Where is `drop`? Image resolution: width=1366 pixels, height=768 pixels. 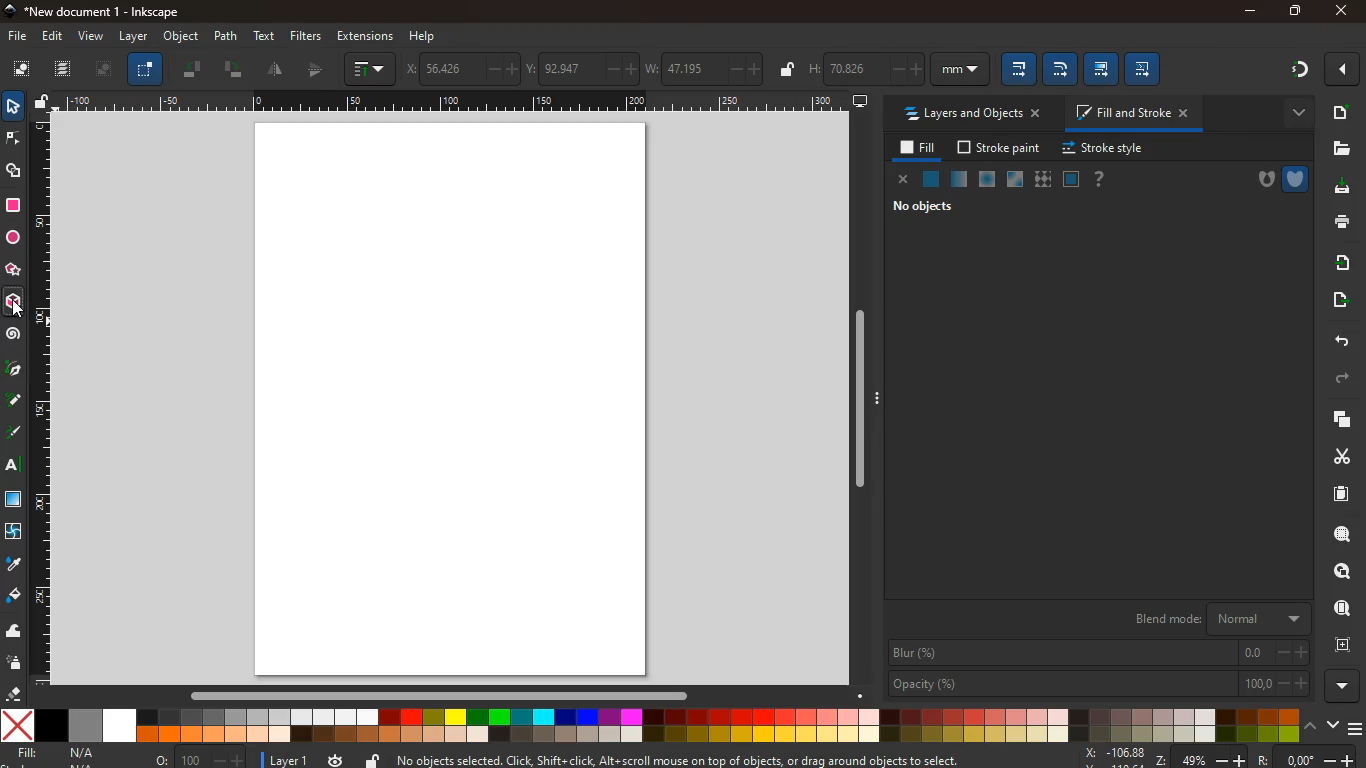
drop is located at coordinates (12, 564).